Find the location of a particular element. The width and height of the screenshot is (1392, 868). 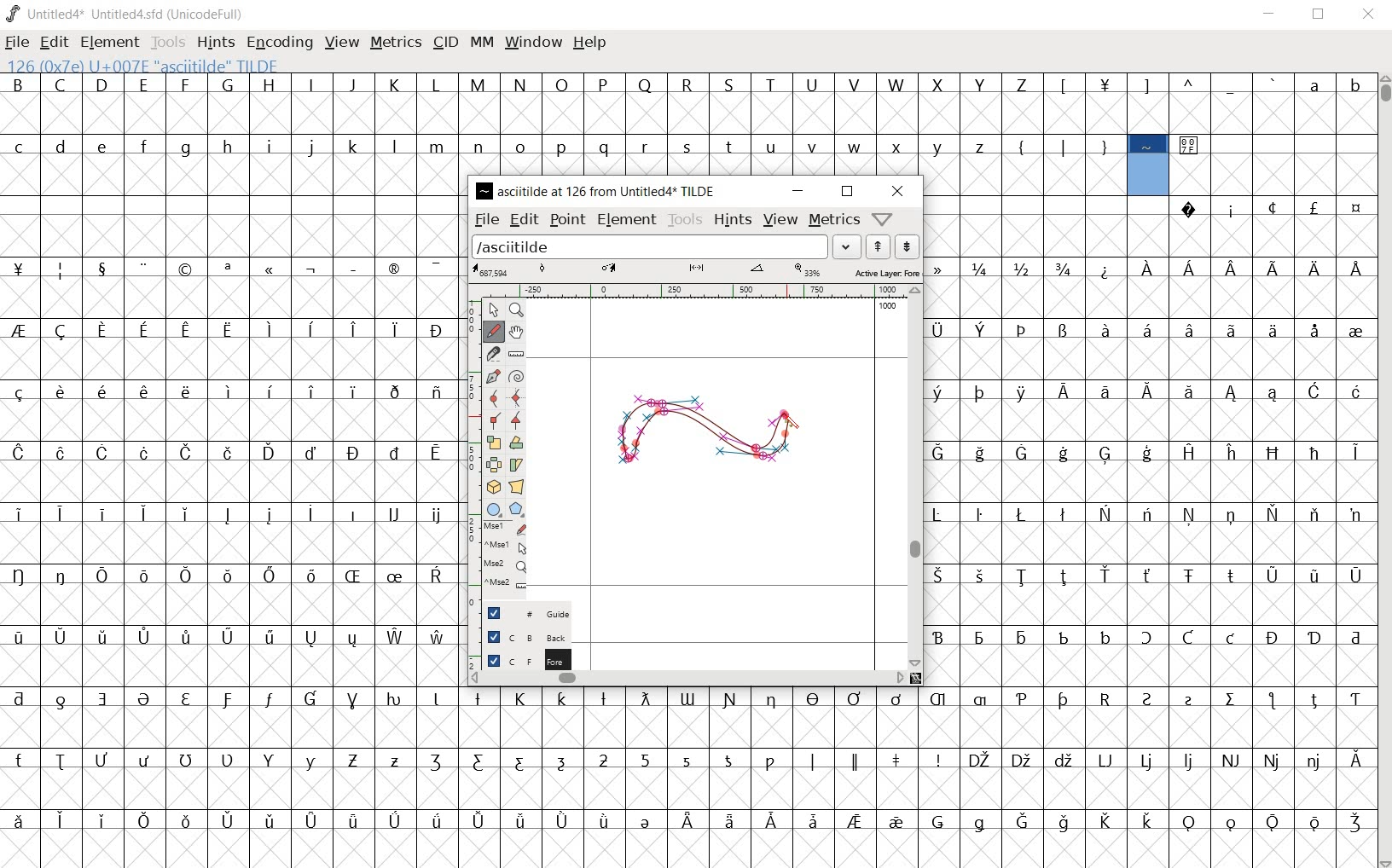

MM is located at coordinates (481, 45).